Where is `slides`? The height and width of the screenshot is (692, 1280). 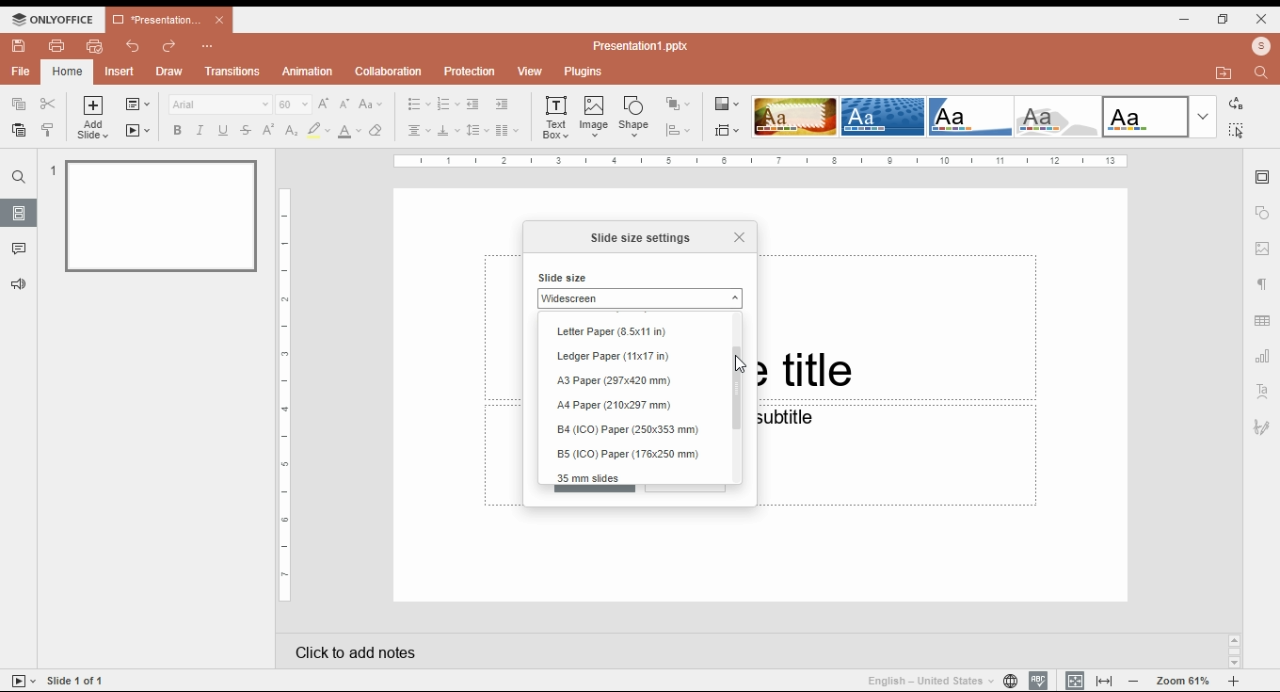
slides is located at coordinates (19, 212).